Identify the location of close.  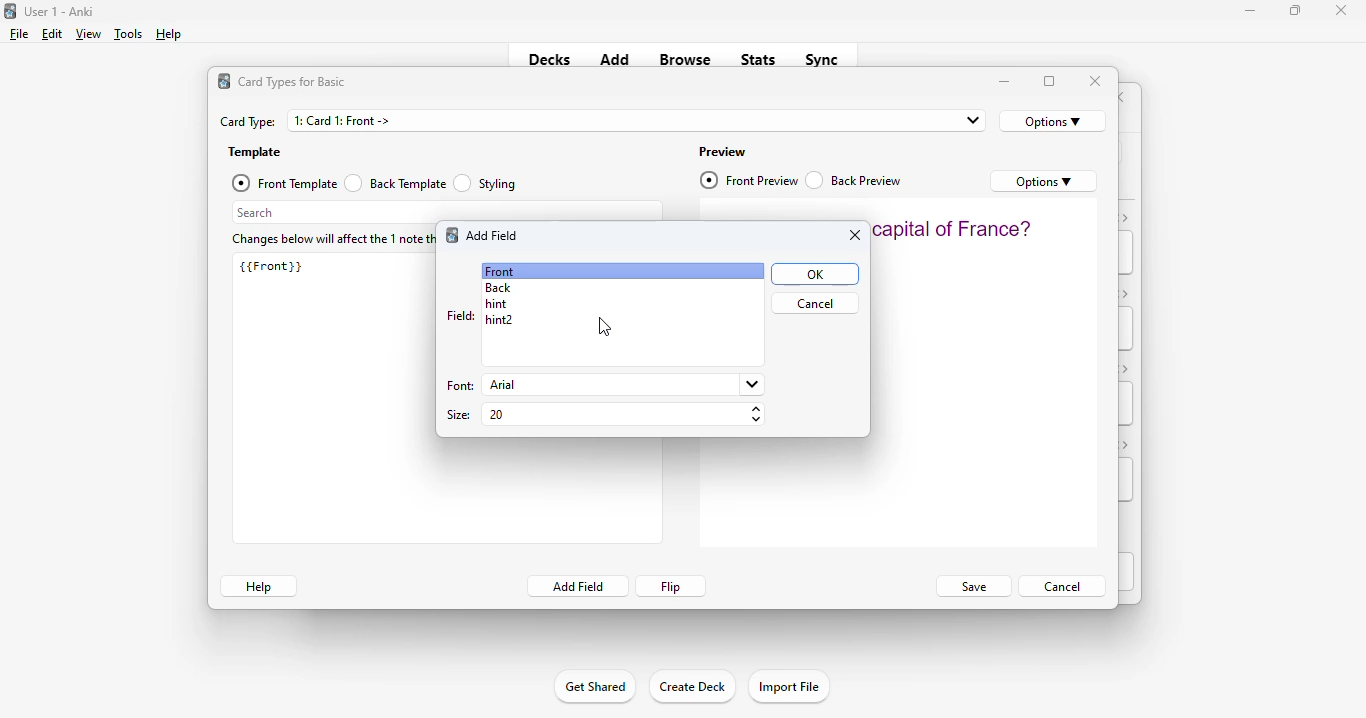
(854, 236).